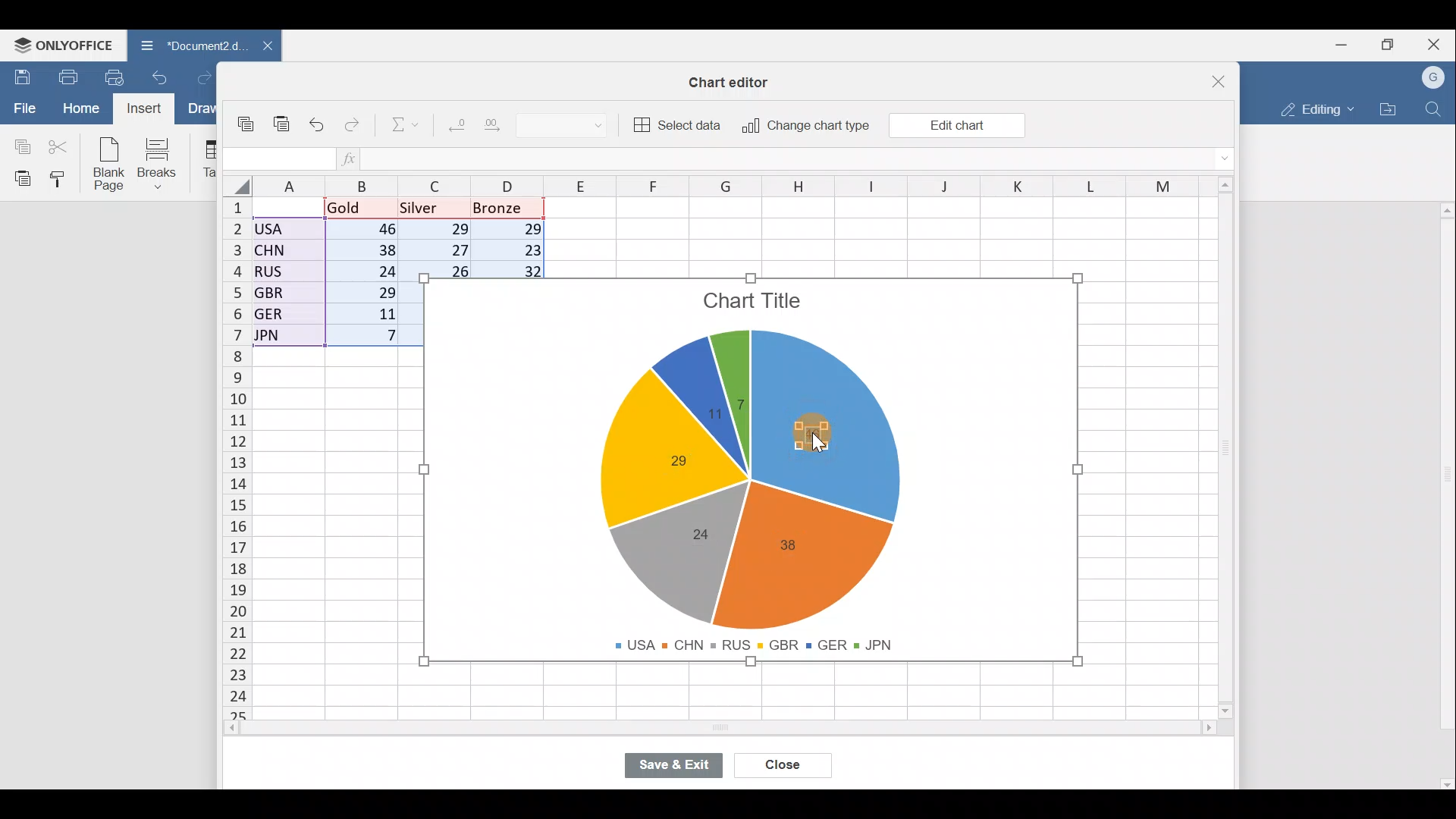  I want to click on Cursor on Insert, so click(149, 108).